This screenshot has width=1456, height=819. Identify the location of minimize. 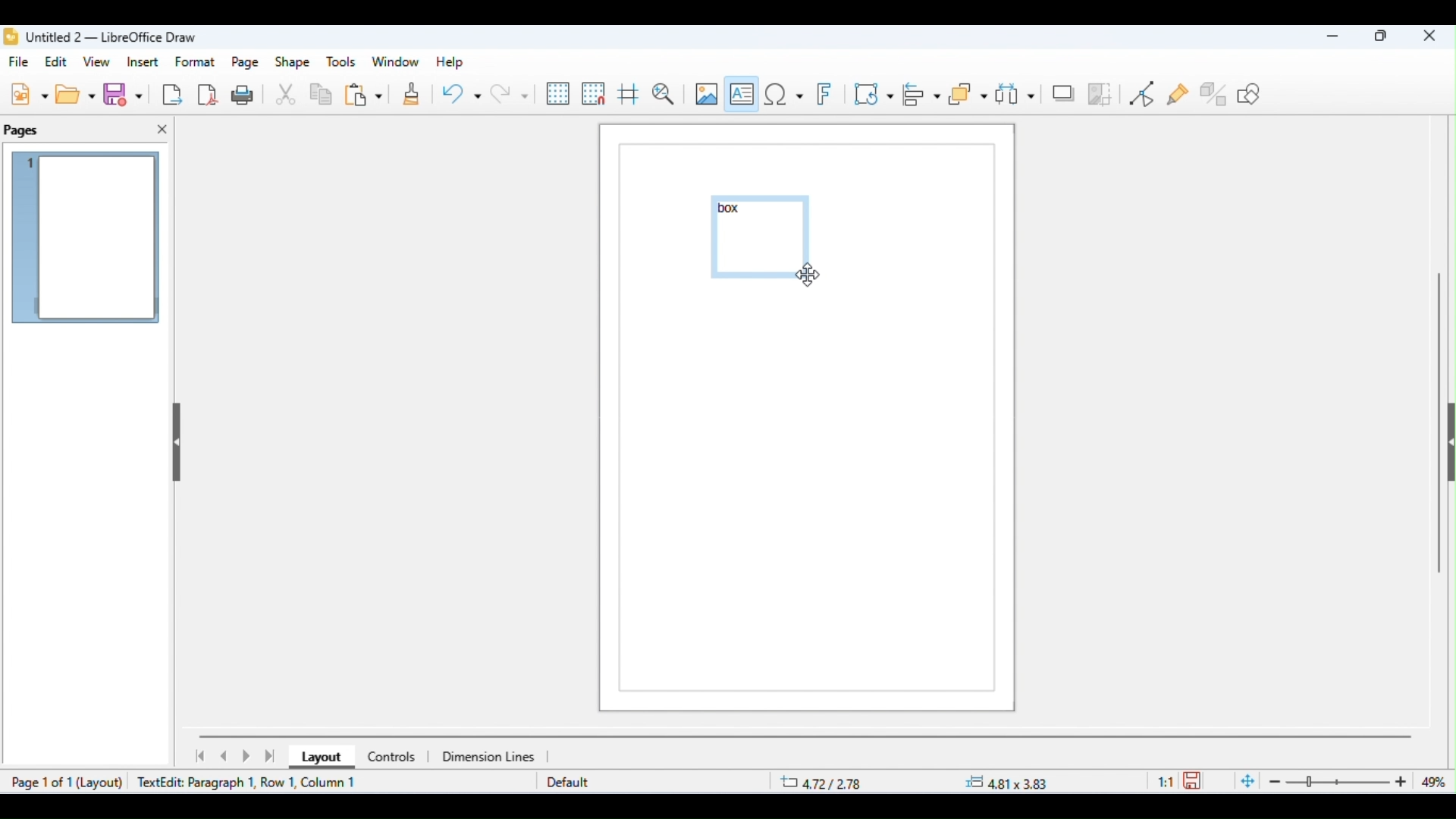
(1328, 39).